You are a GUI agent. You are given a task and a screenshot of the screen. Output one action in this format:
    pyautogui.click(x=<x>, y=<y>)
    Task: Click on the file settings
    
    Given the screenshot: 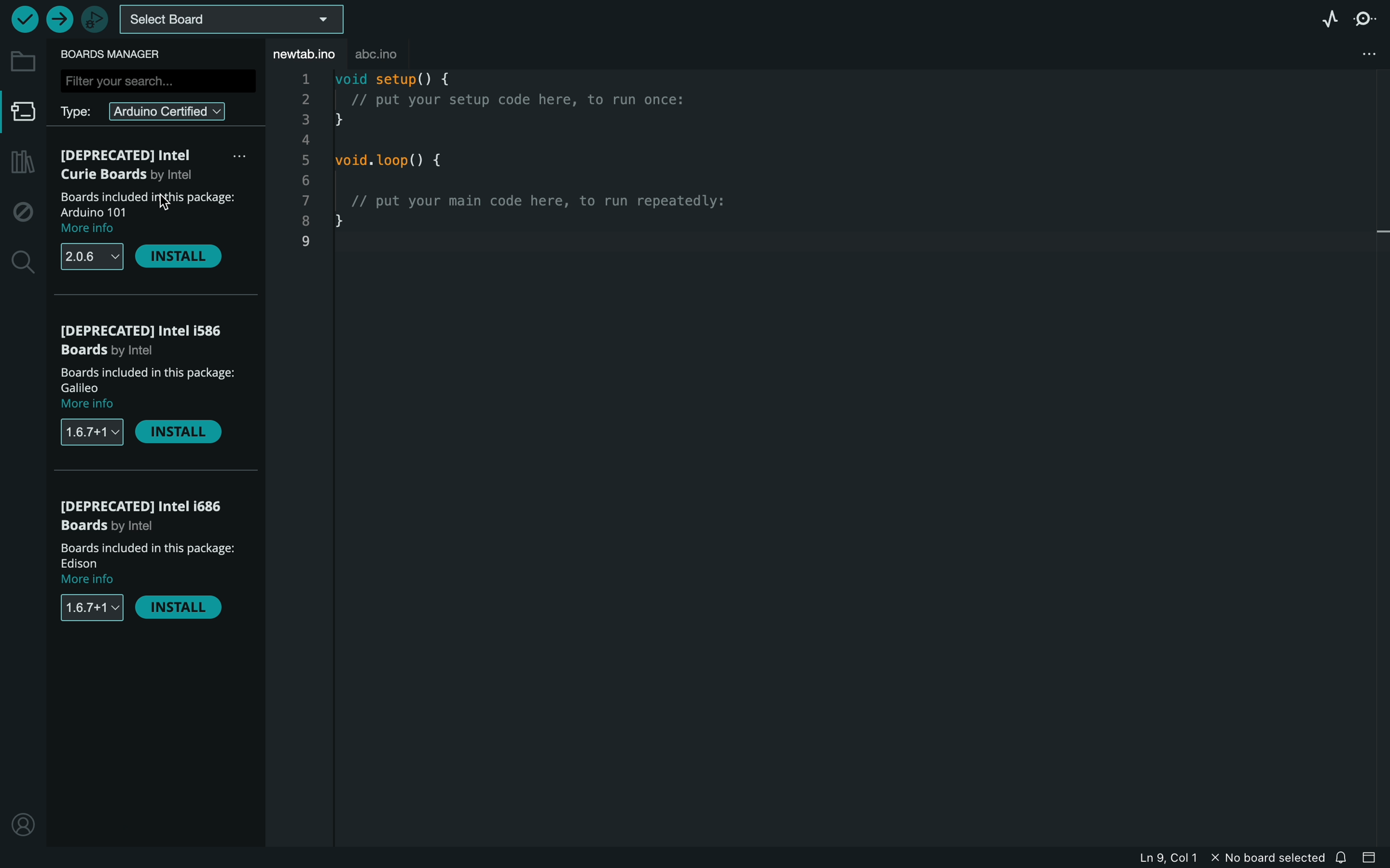 What is the action you would take?
    pyautogui.click(x=1352, y=55)
    